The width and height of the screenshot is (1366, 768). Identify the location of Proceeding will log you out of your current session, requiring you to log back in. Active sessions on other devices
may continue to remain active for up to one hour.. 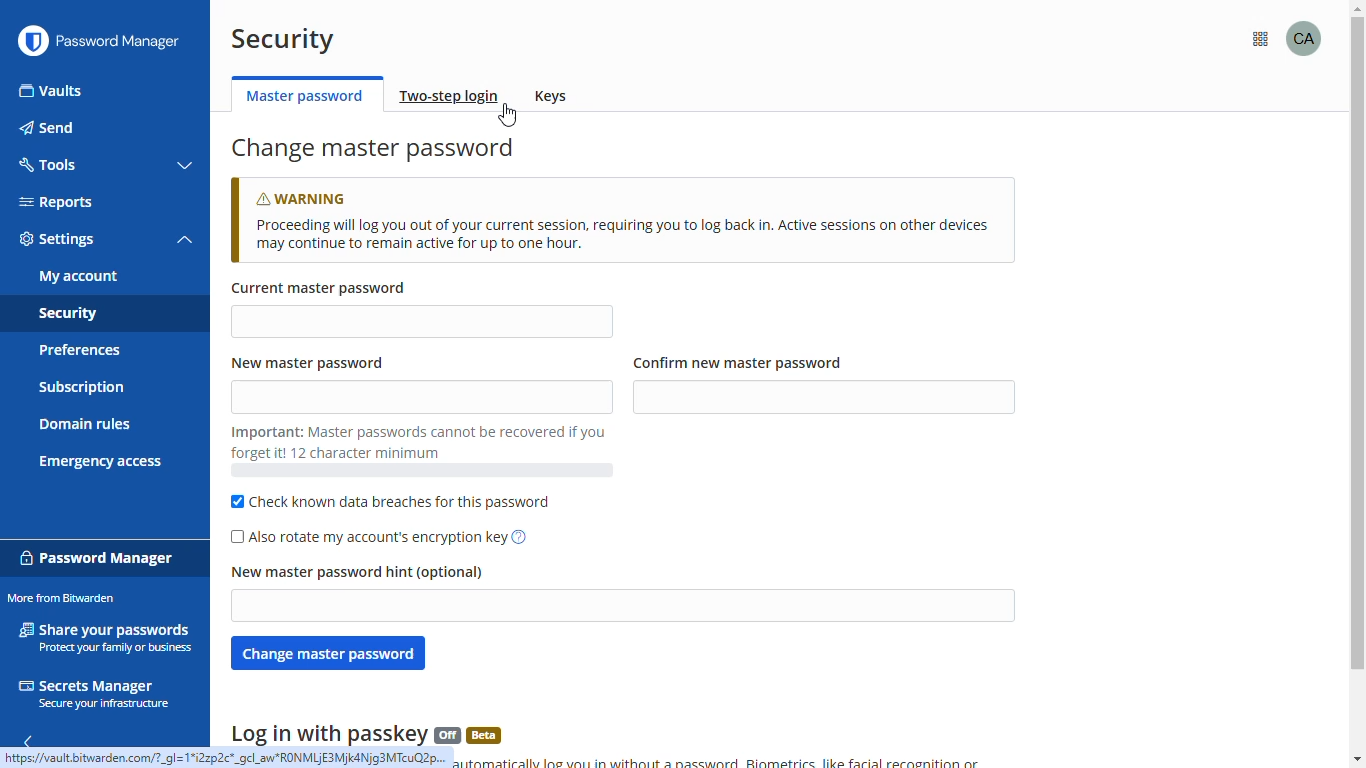
(623, 235).